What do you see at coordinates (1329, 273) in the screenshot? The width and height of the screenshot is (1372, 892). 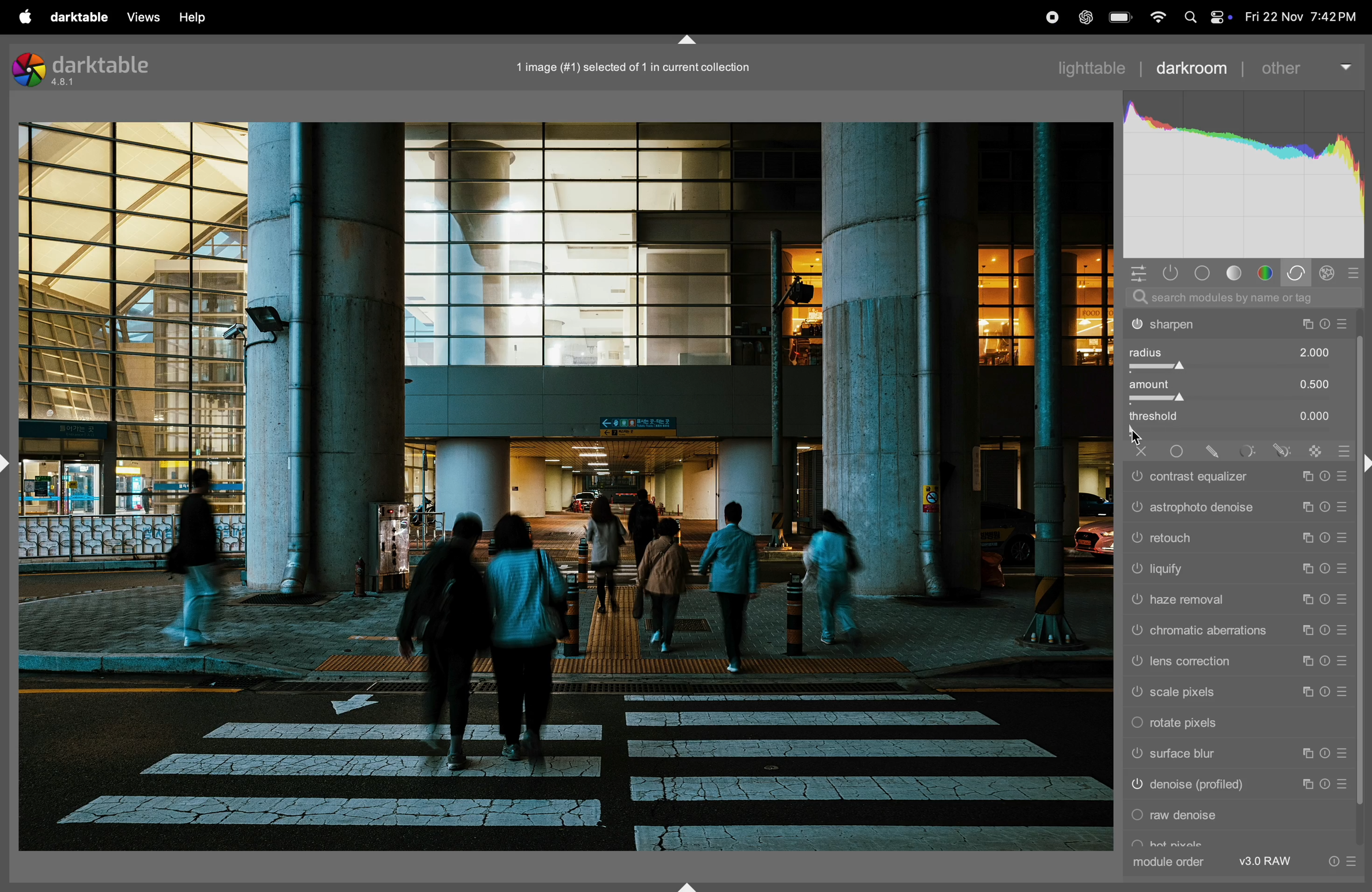 I see `effect` at bounding box center [1329, 273].